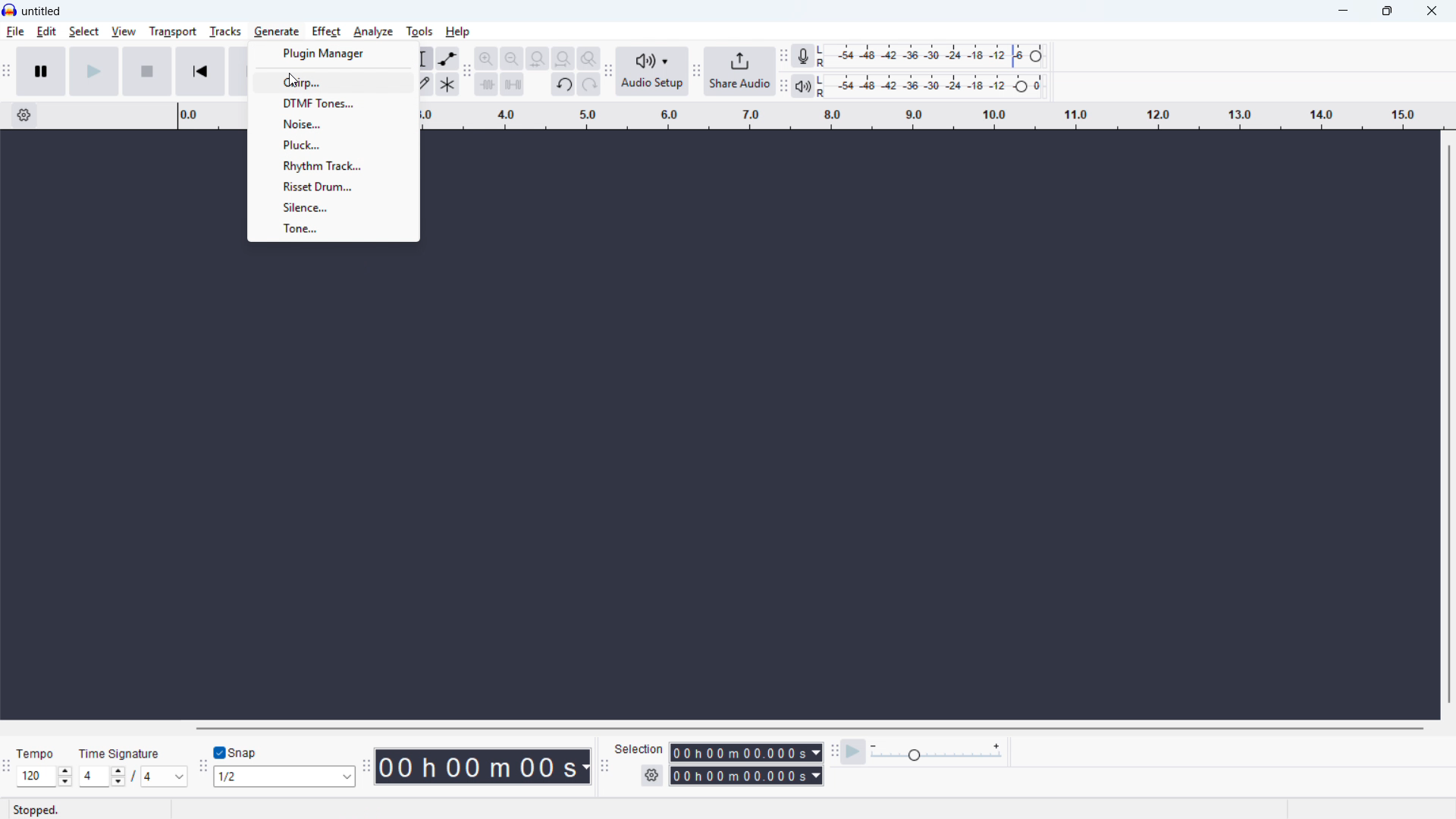 Image resolution: width=1456 pixels, height=819 pixels. What do you see at coordinates (366, 767) in the screenshot?
I see `time toolbar ` at bounding box center [366, 767].